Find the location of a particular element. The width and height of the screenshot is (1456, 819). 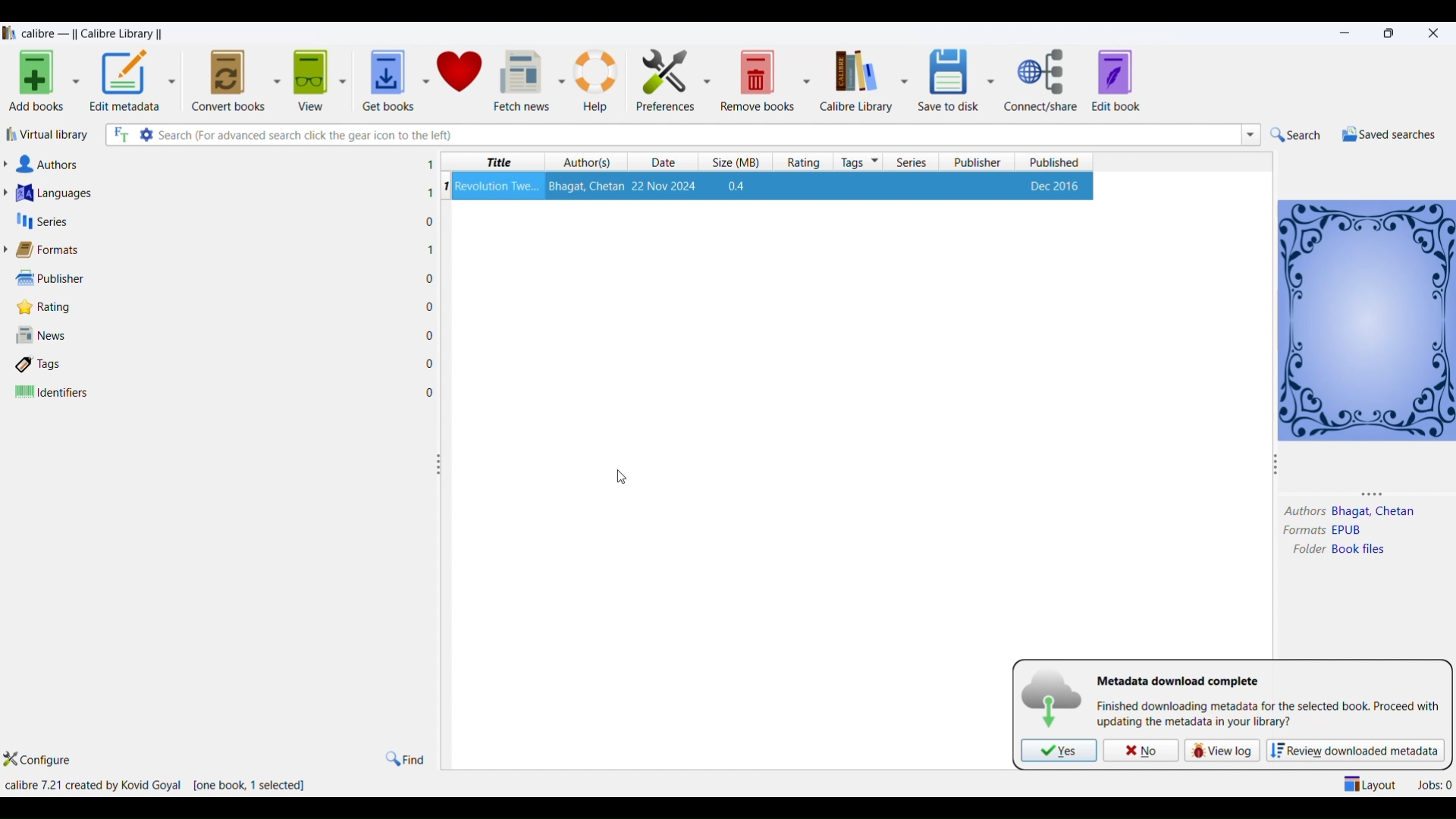

view all languages dropdown button is located at coordinates (10, 193).